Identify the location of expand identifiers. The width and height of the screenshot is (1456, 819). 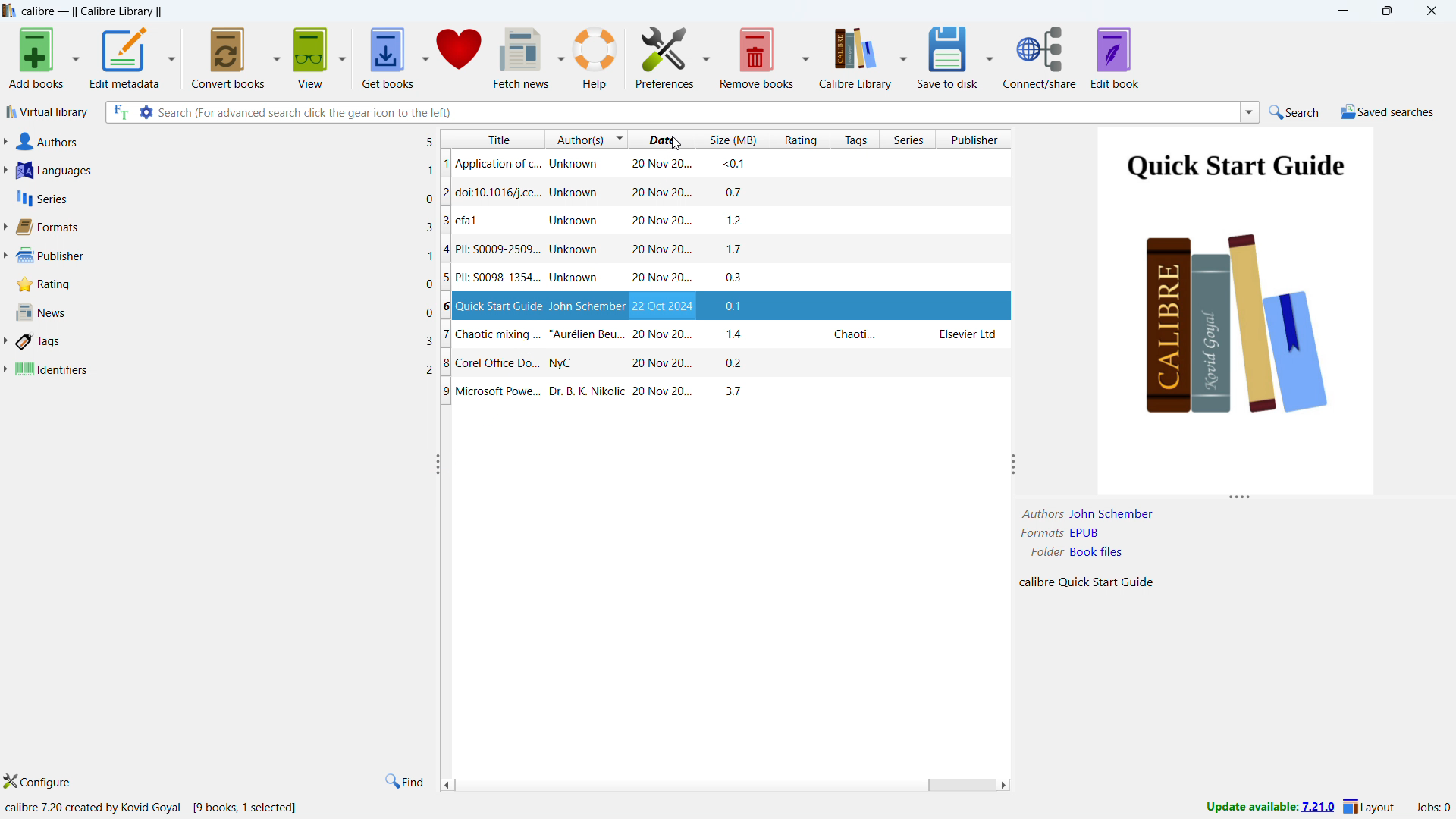
(5, 369).